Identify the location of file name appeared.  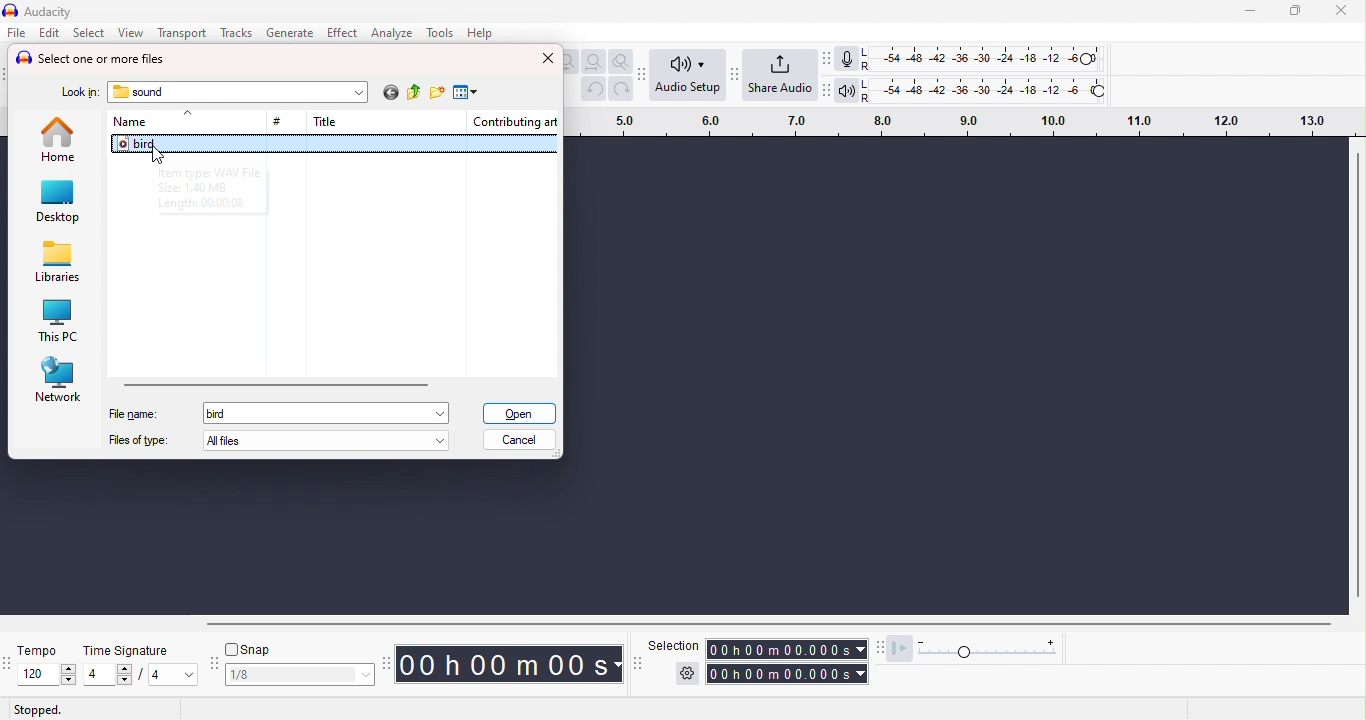
(222, 414).